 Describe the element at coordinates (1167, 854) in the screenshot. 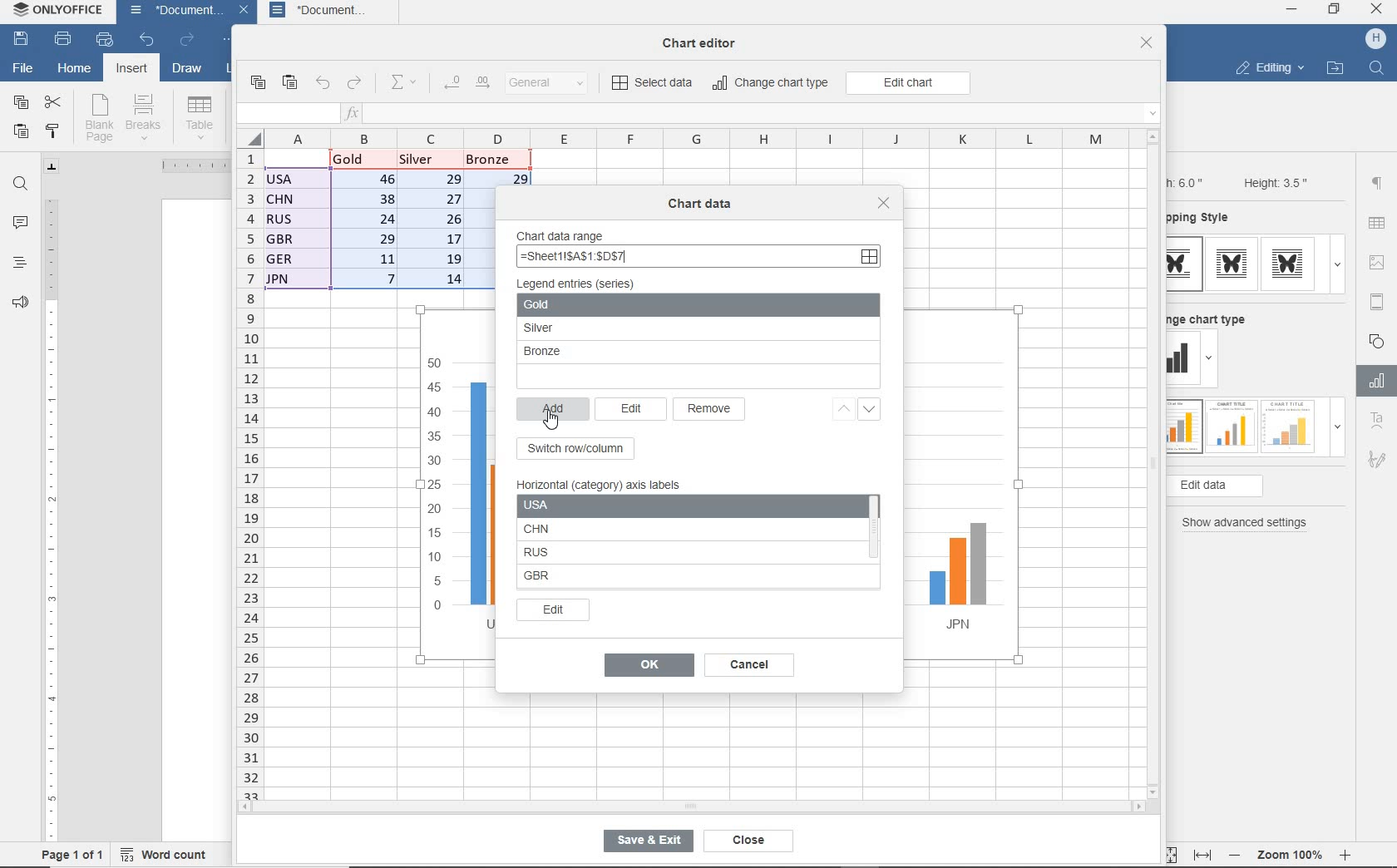

I see `fit to page` at that location.